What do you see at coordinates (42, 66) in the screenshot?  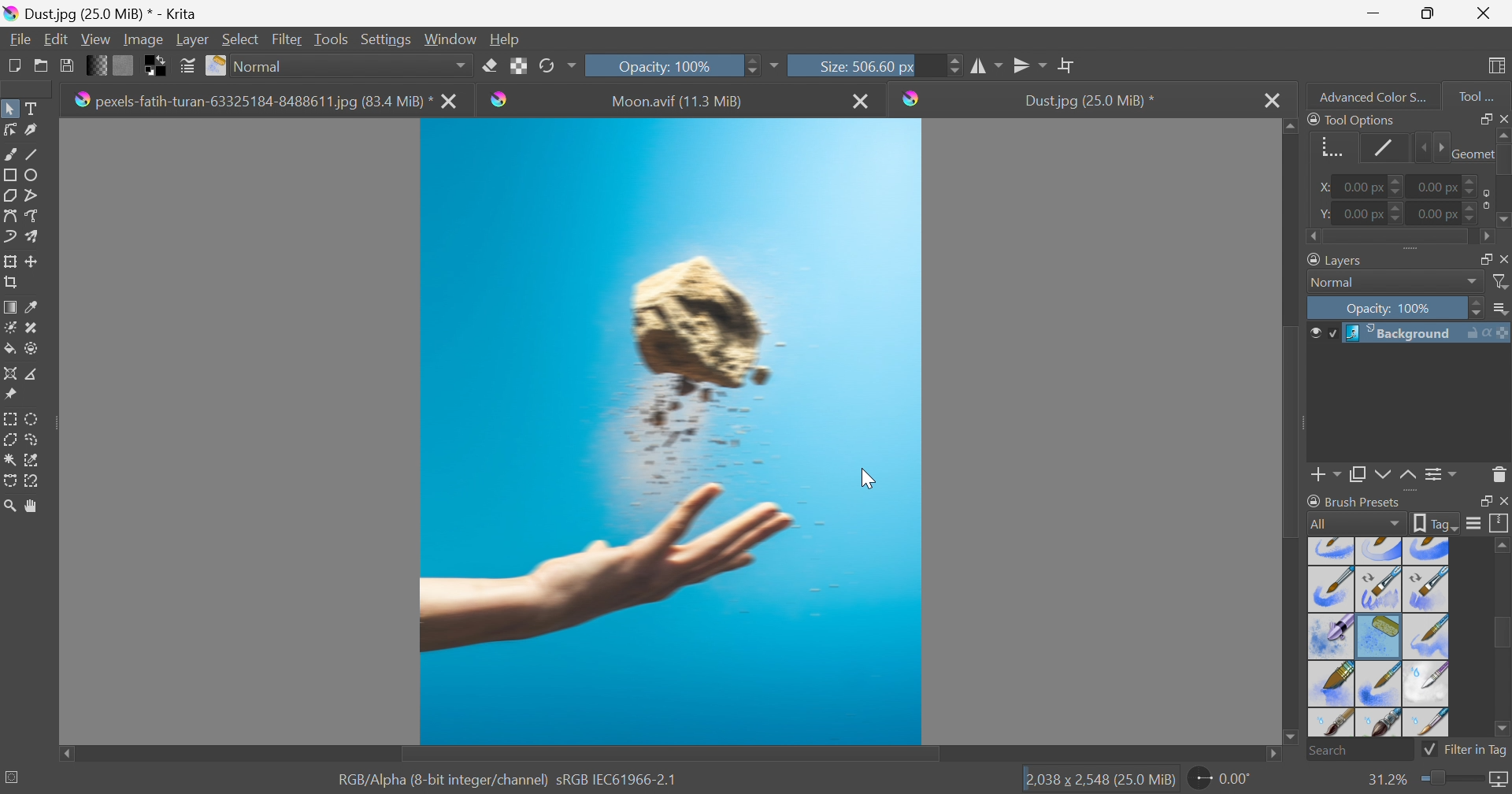 I see `Open an existing document` at bounding box center [42, 66].